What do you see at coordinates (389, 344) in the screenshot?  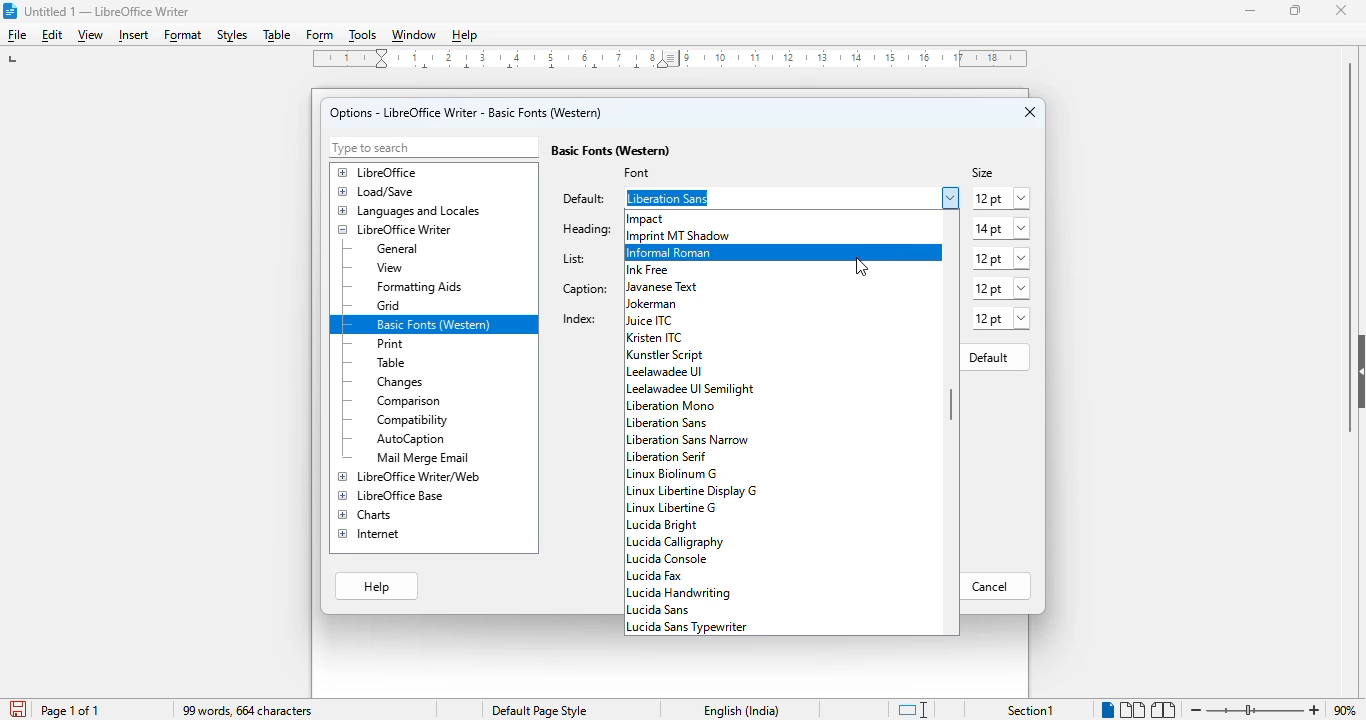 I see `print` at bounding box center [389, 344].